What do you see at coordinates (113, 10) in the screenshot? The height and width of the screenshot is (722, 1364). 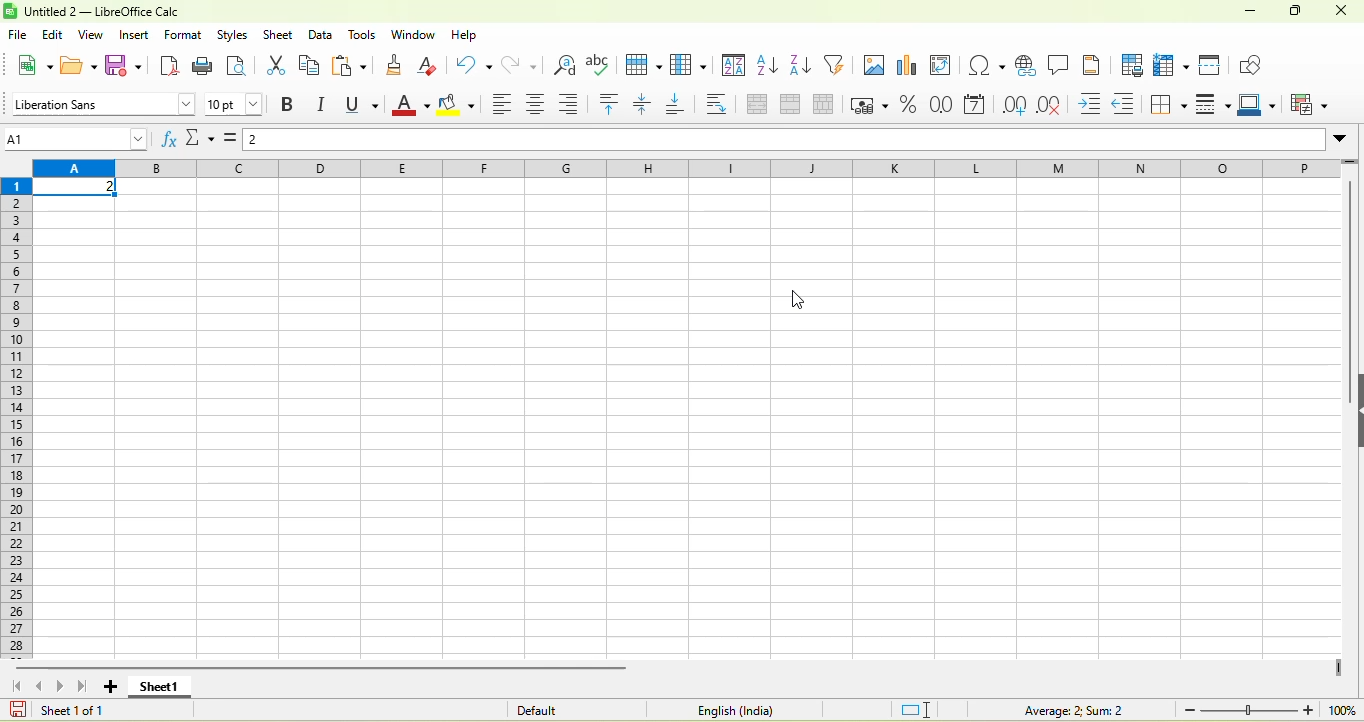 I see `untiteld2- libreoffice calc` at bounding box center [113, 10].